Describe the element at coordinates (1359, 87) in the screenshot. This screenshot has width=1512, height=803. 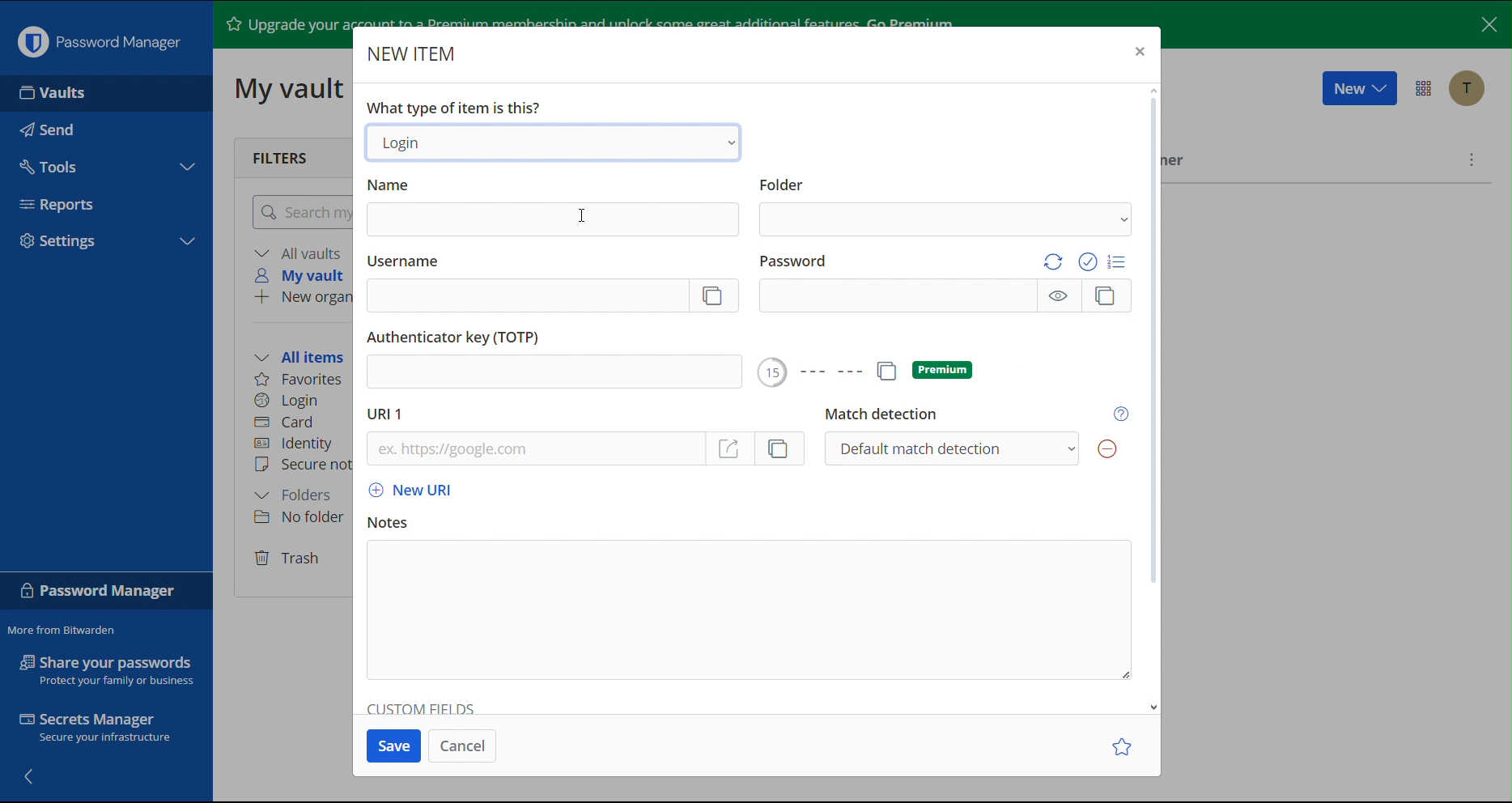
I see `New` at that location.